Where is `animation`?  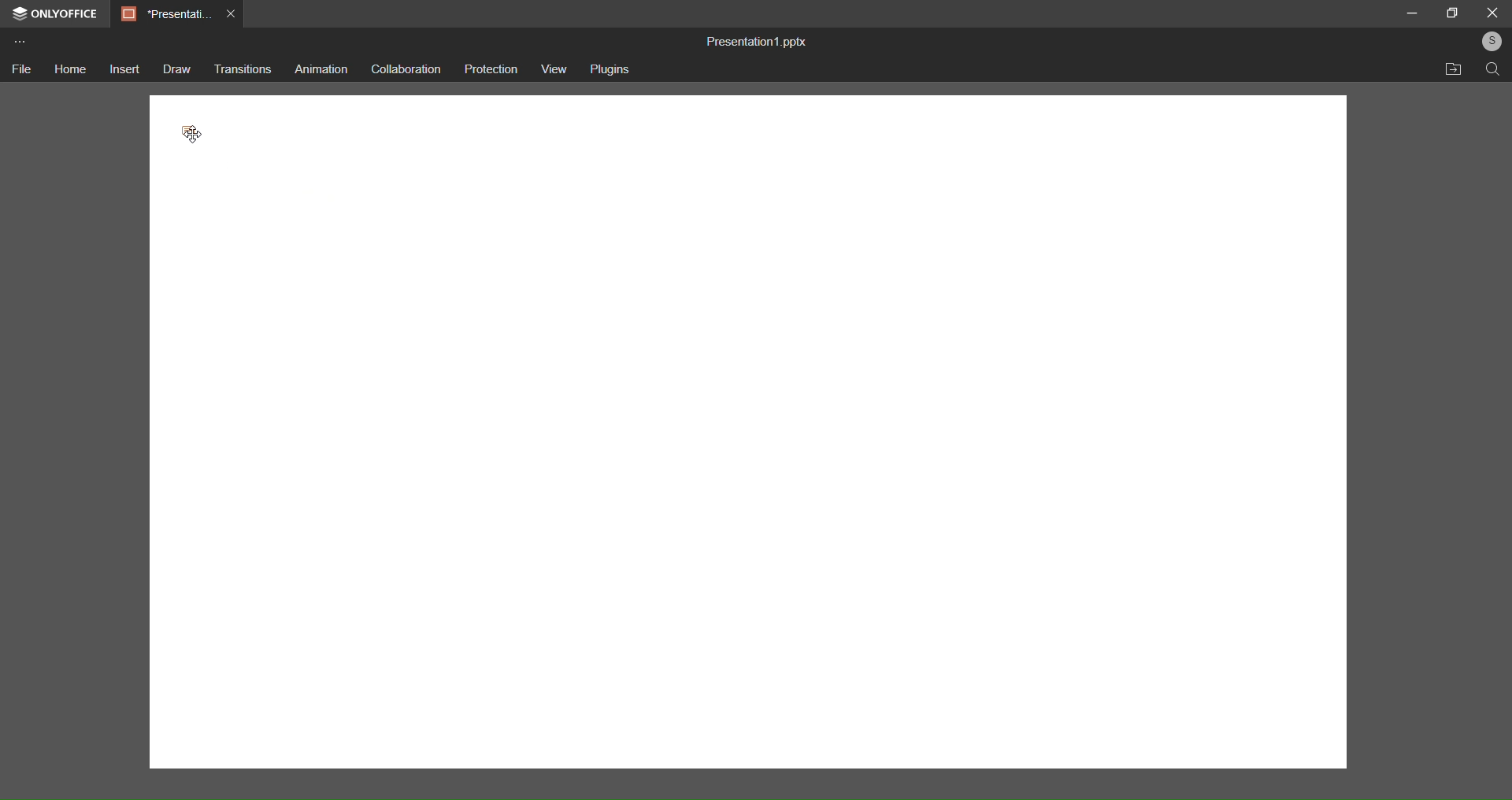 animation is located at coordinates (317, 67).